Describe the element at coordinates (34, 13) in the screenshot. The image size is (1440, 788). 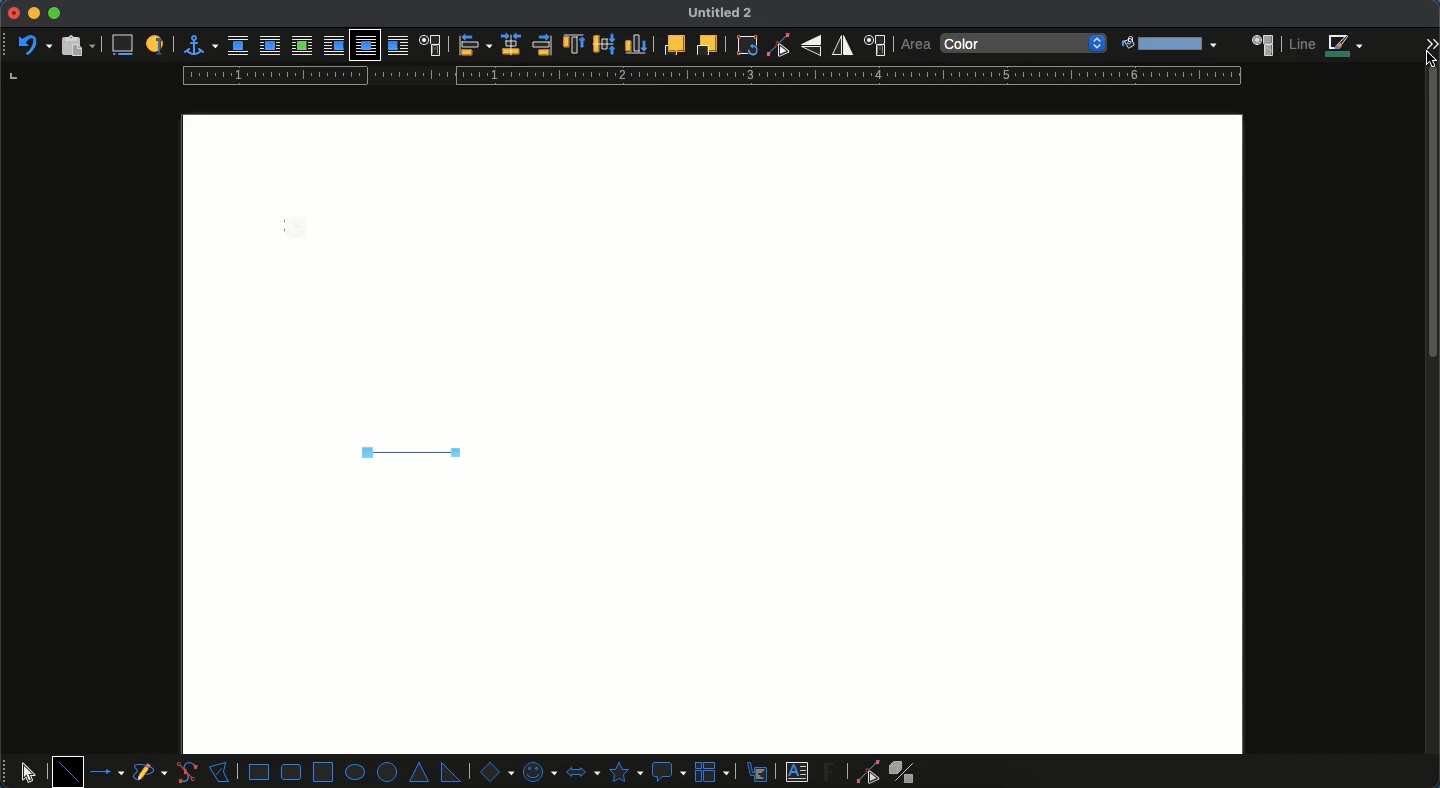
I see `minimize` at that location.